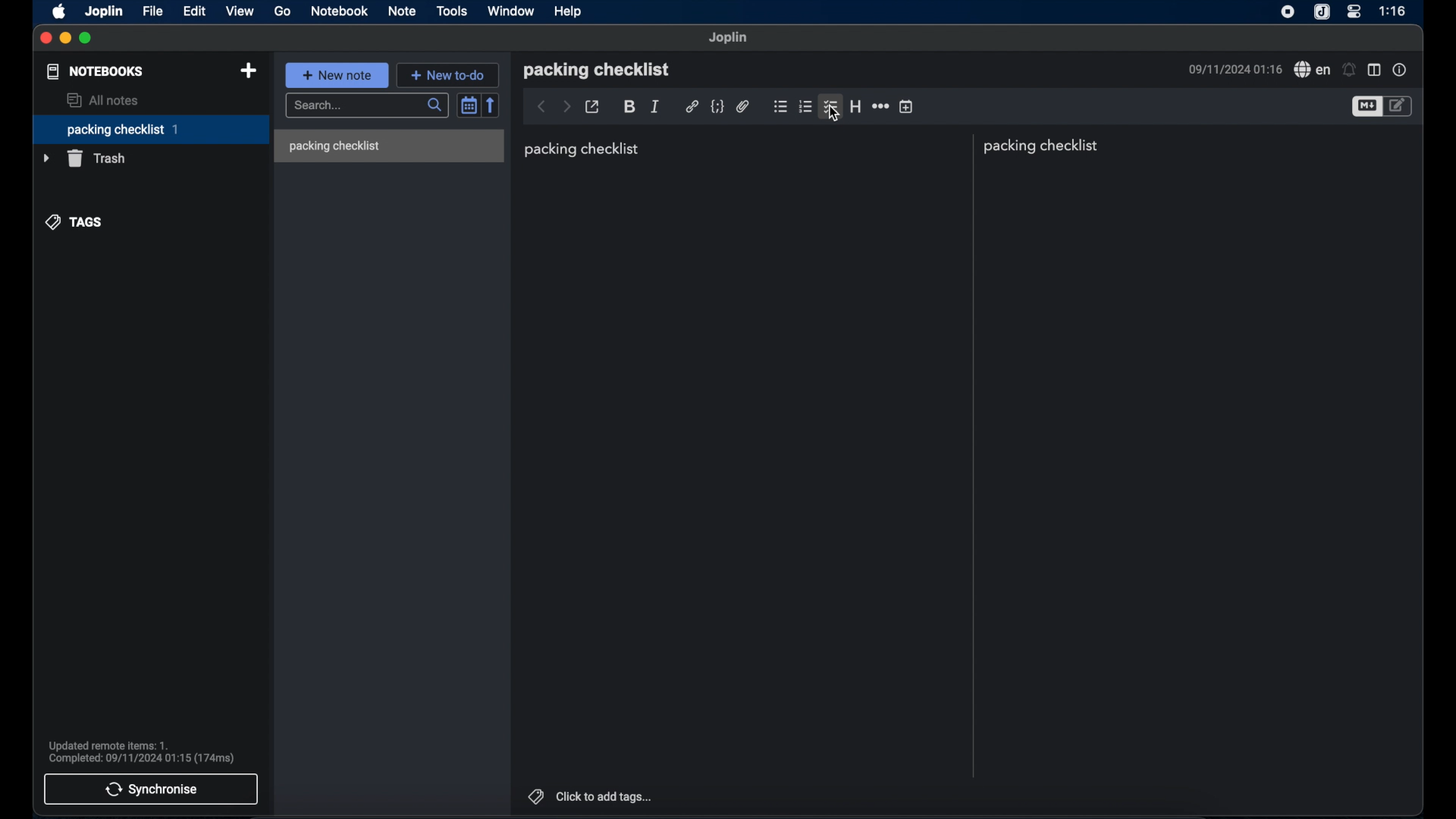  Describe the element at coordinates (1232, 70) in the screenshot. I see `09/11/2024 01:16` at that location.